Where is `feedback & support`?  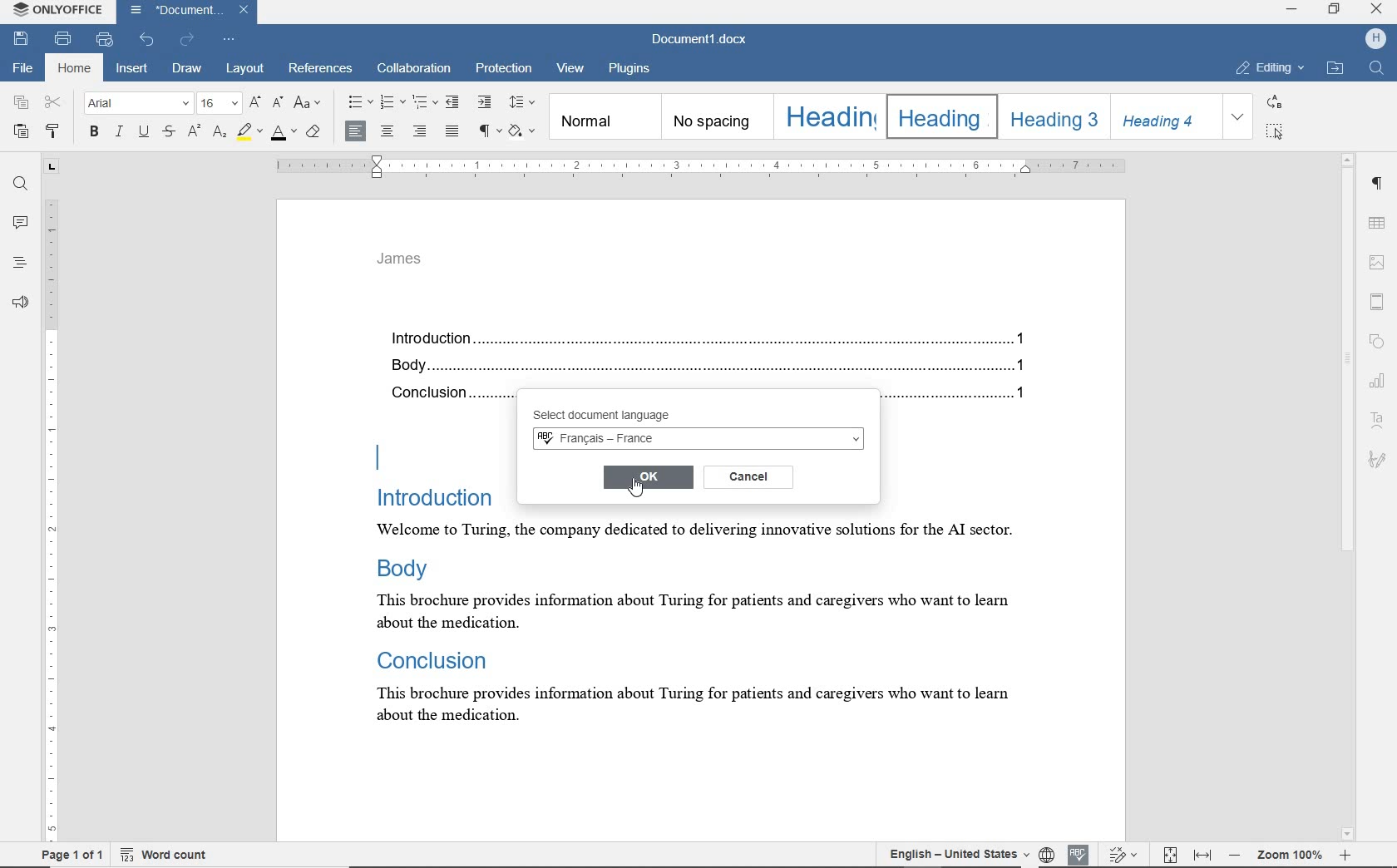
feedback & support is located at coordinates (18, 302).